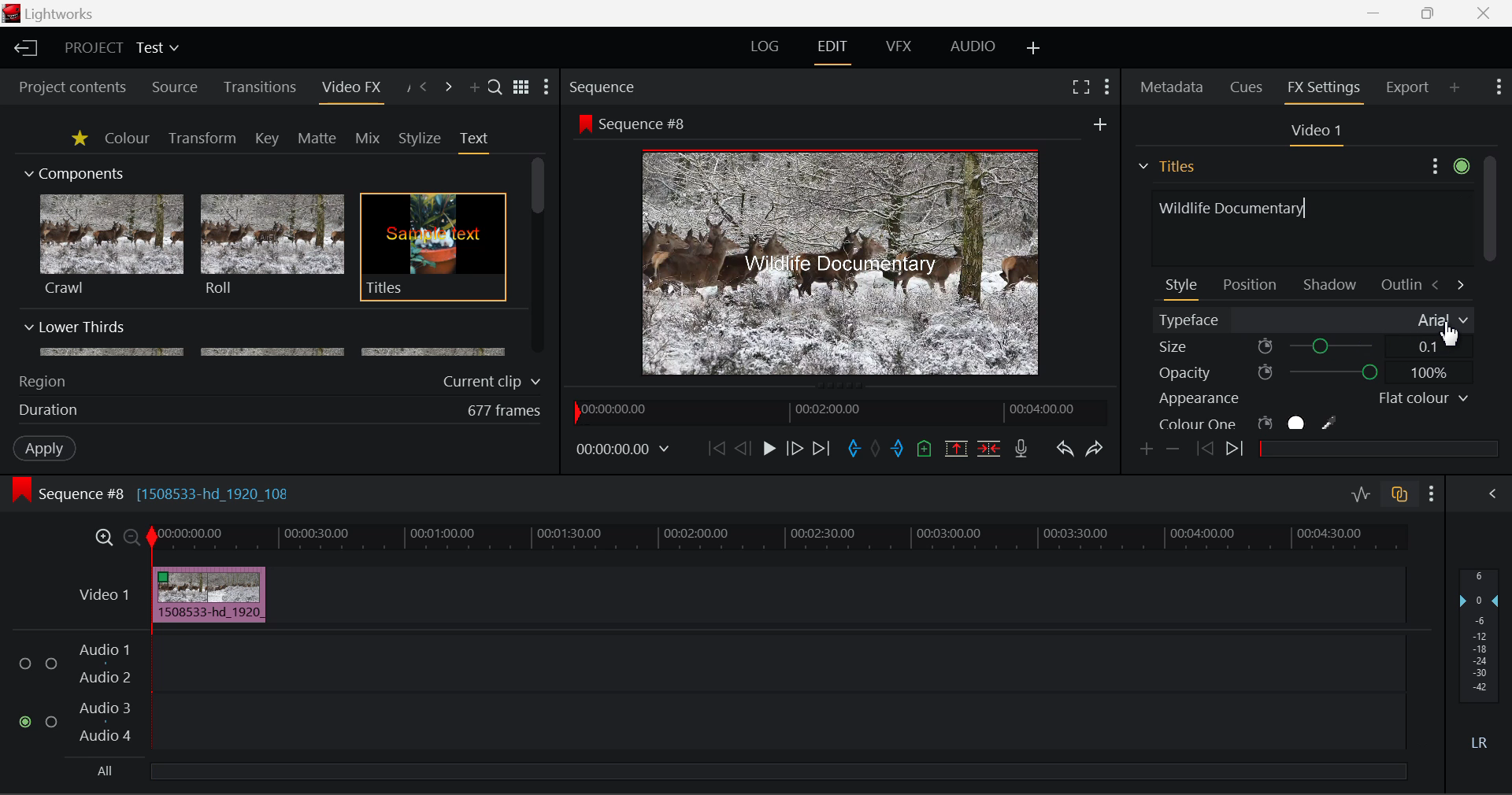  What do you see at coordinates (779, 538) in the screenshot?
I see `Project Timeline` at bounding box center [779, 538].